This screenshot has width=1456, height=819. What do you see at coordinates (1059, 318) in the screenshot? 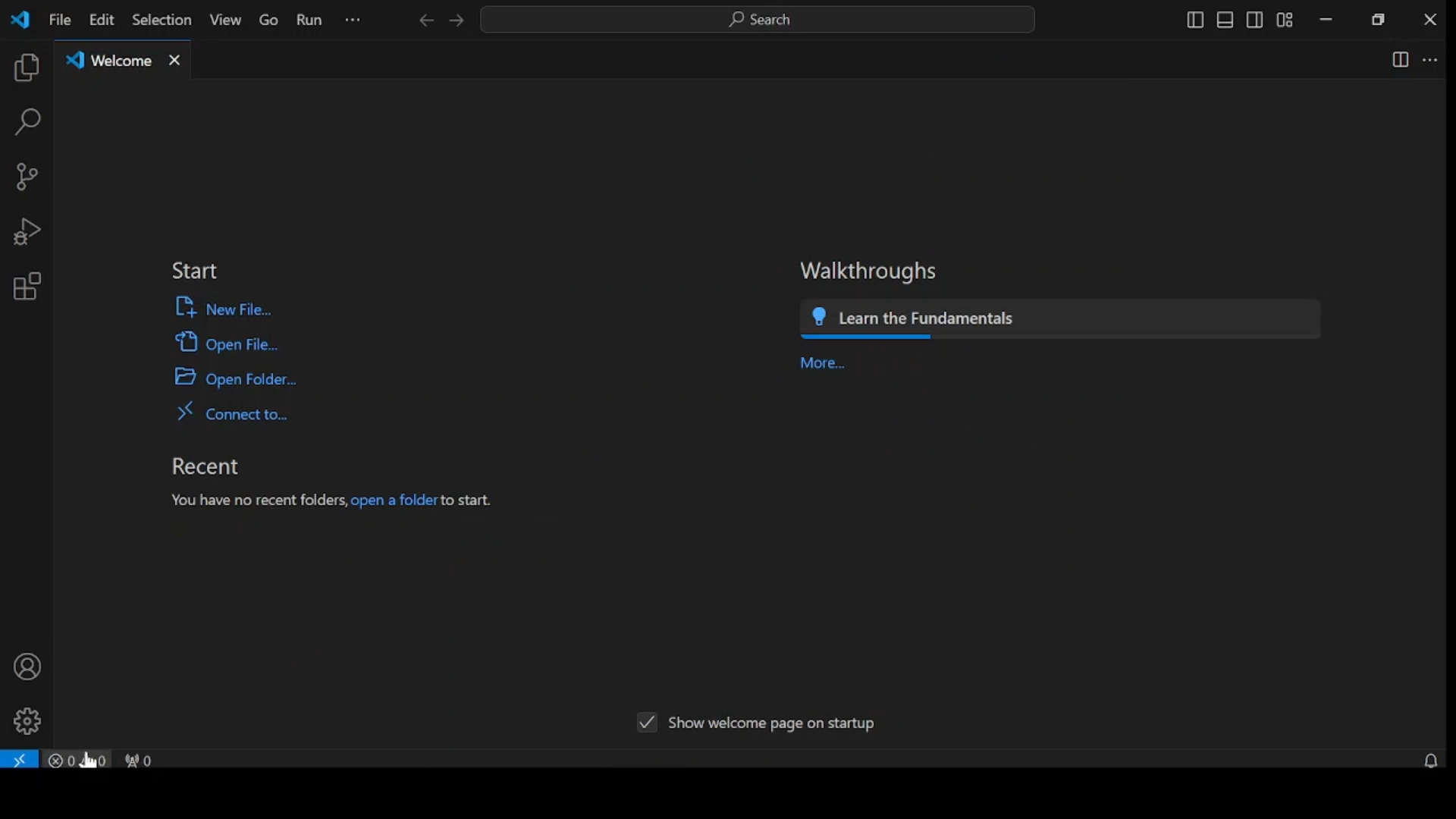
I see `learn the fundamentals` at bounding box center [1059, 318].